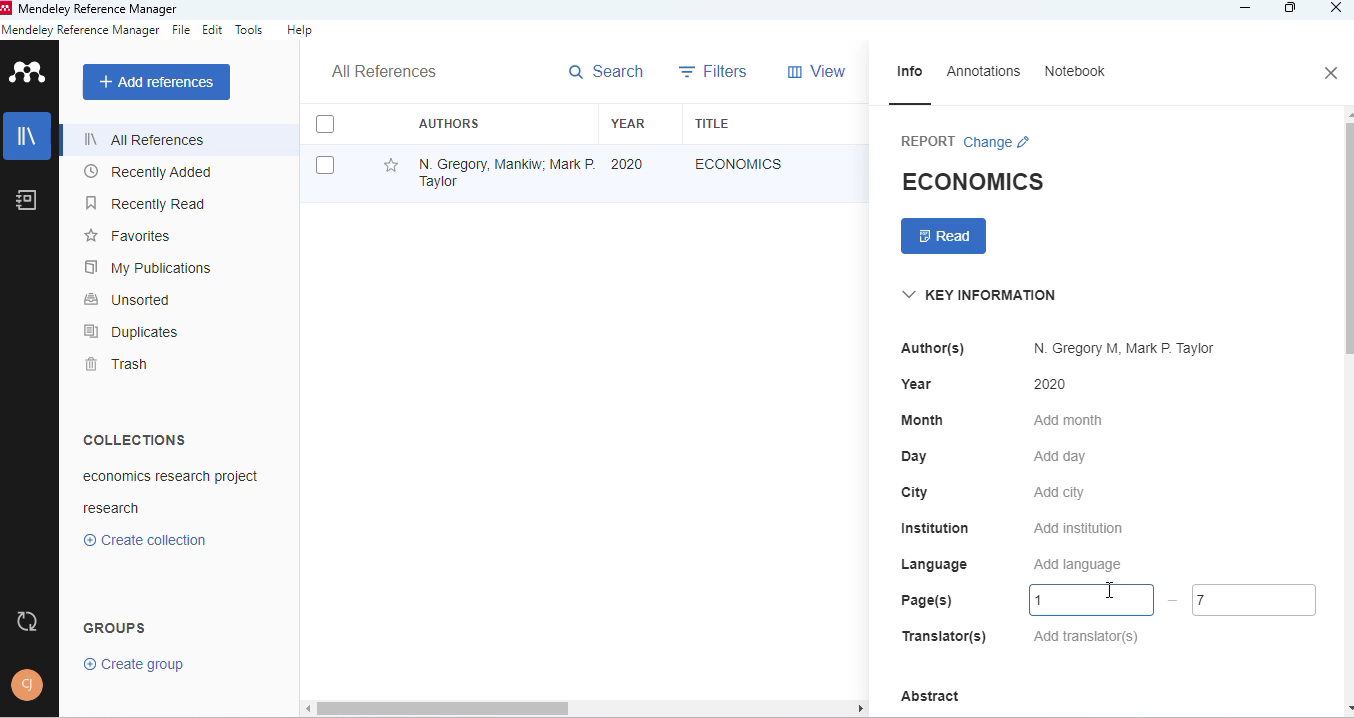 The image size is (1354, 718). Describe the element at coordinates (135, 664) in the screenshot. I see `create group` at that location.